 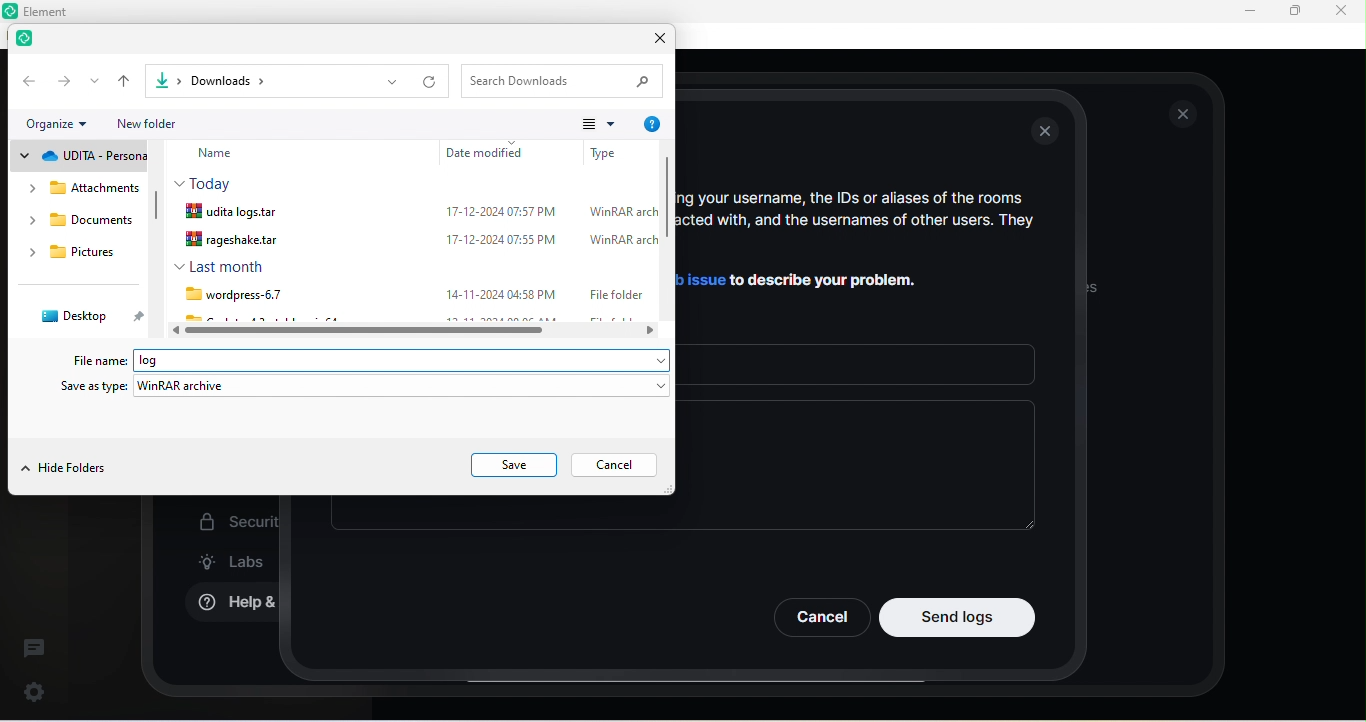 What do you see at coordinates (495, 238) in the screenshot?
I see `17-12-2024 07:55 PM` at bounding box center [495, 238].